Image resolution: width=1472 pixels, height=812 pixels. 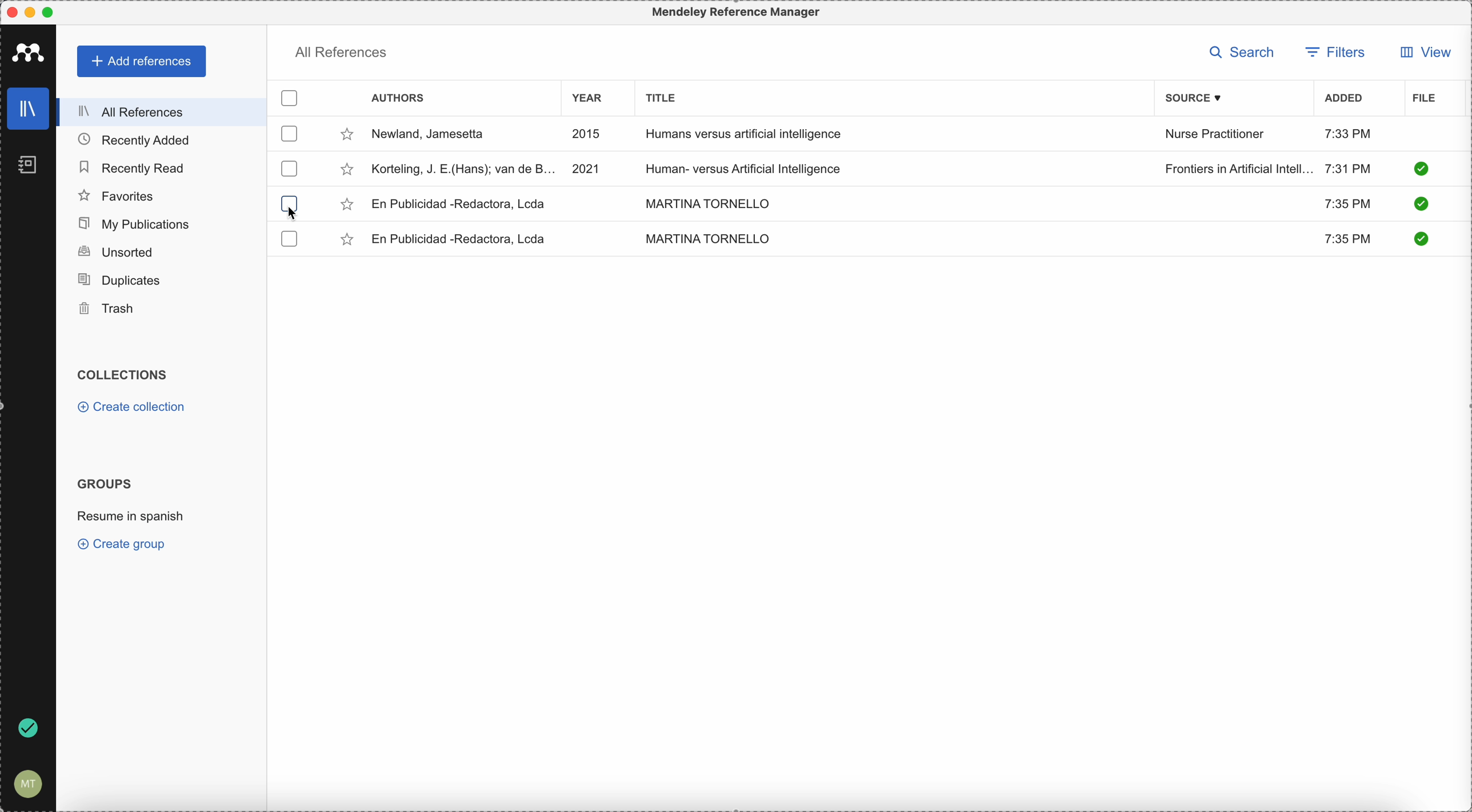 I want to click on Mendeley Referencen Manager, so click(x=739, y=13).